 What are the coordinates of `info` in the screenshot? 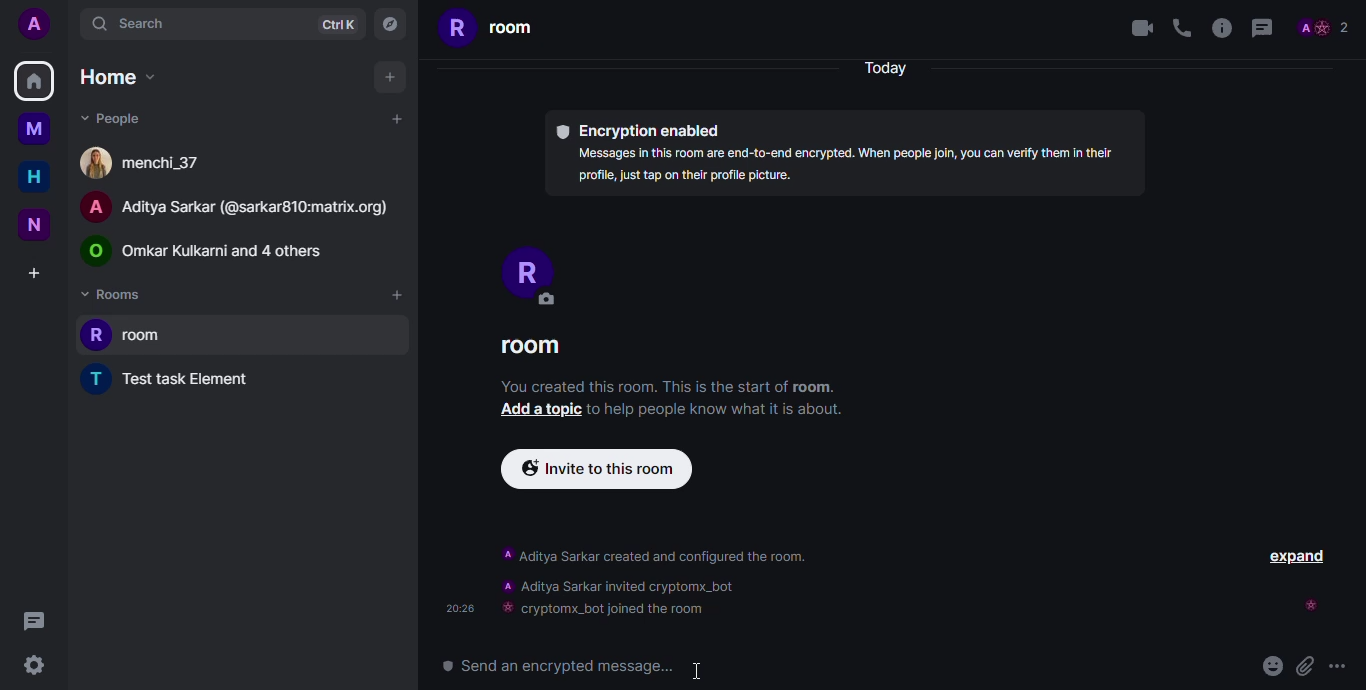 It's located at (1223, 28).